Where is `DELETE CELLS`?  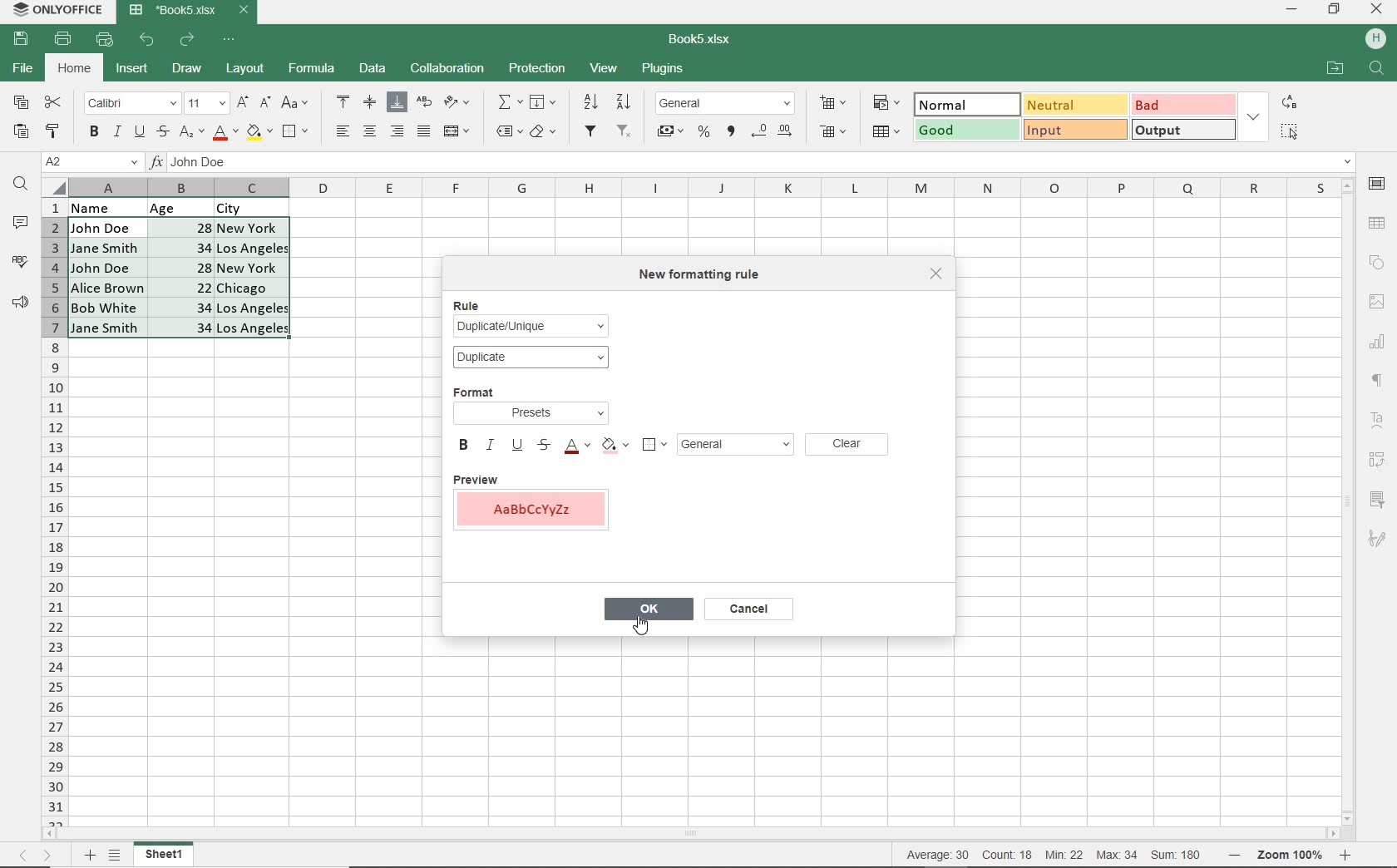 DELETE CELLS is located at coordinates (835, 133).